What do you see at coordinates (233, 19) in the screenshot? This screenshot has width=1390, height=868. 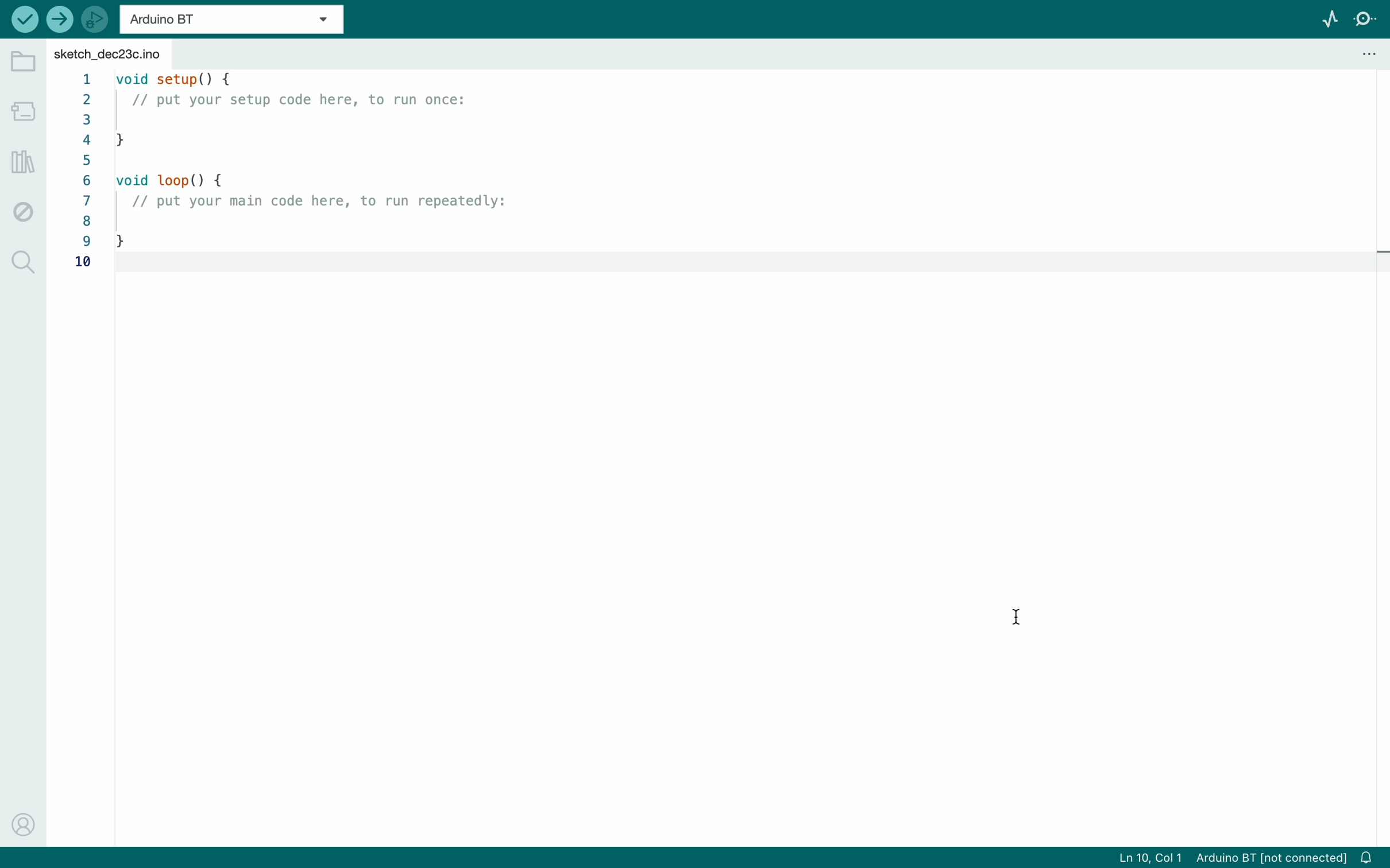 I see `board selecter` at bounding box center [233, 19].